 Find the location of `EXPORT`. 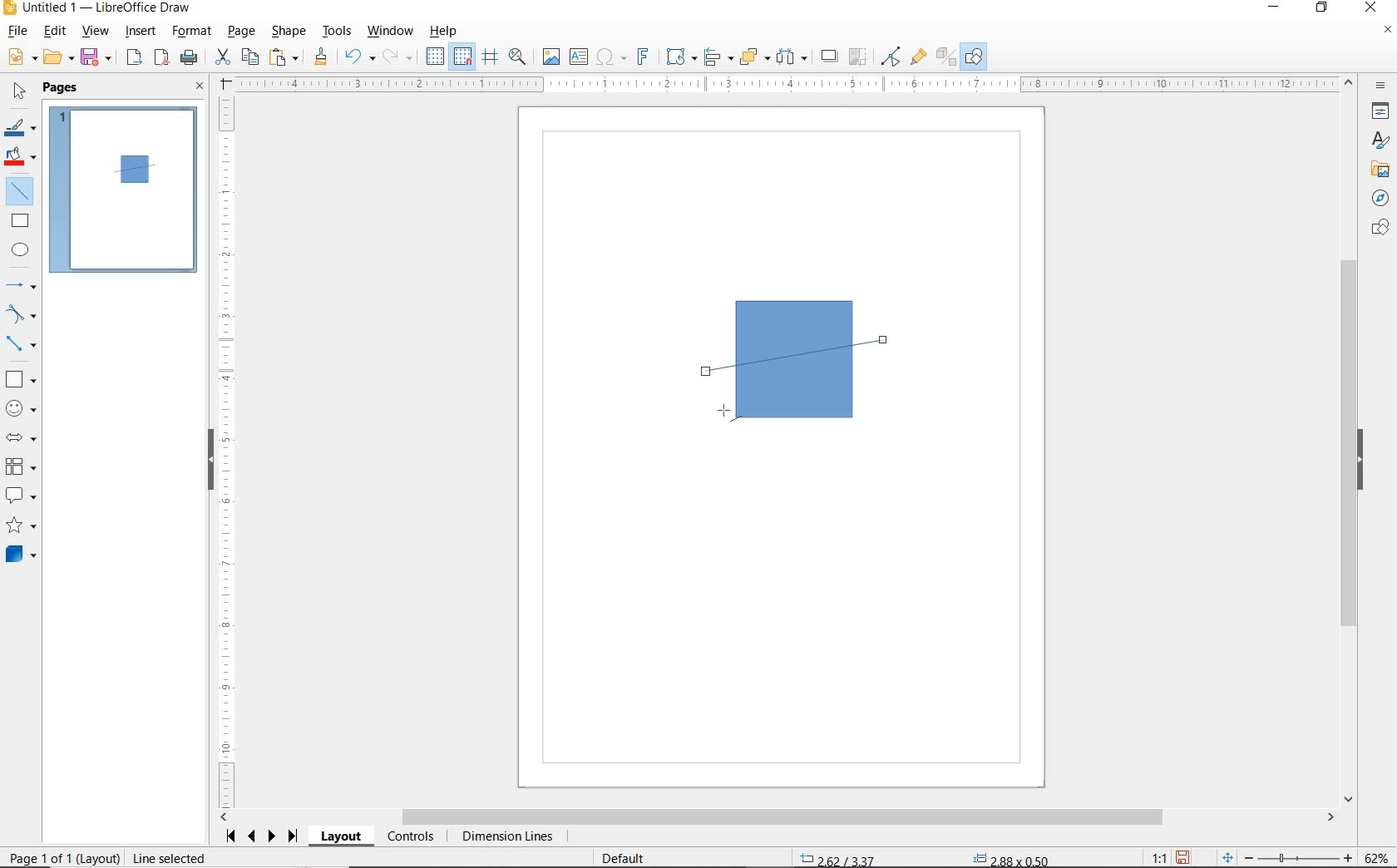

EXPORT is located at coordinates (135, 59).